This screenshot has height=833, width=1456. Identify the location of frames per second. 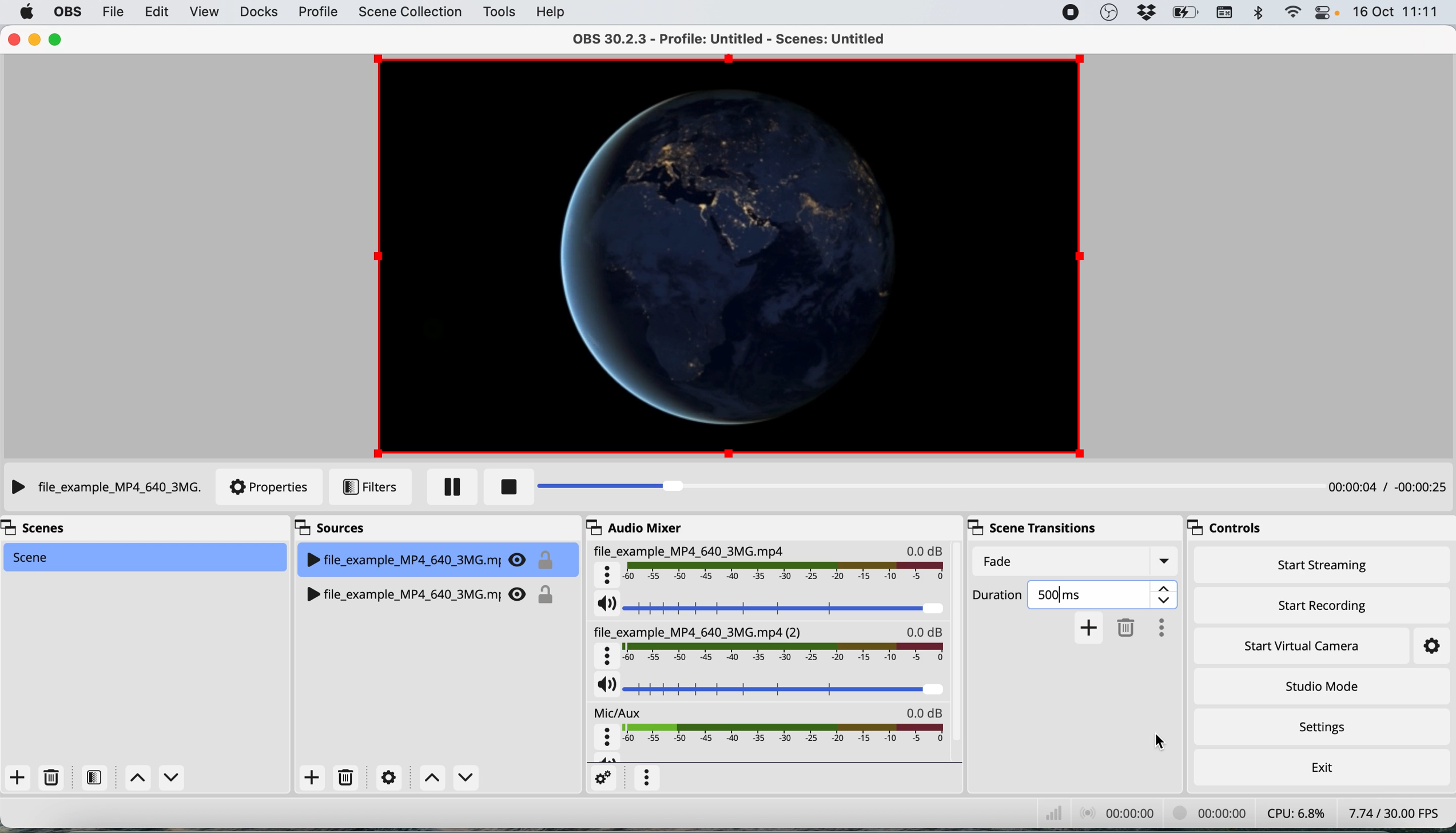
(1391, 813).